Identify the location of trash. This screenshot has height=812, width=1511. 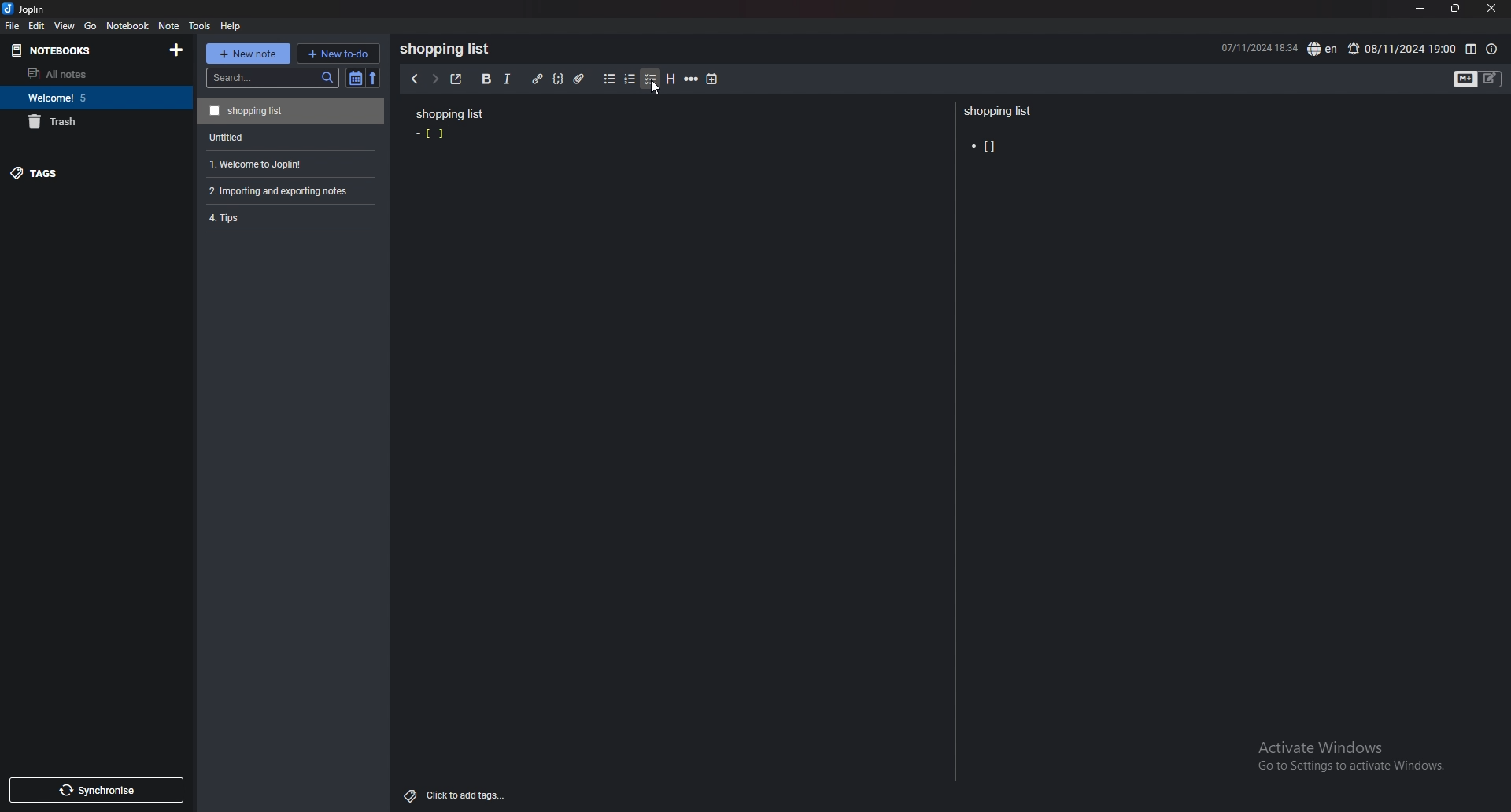
(93, 121).